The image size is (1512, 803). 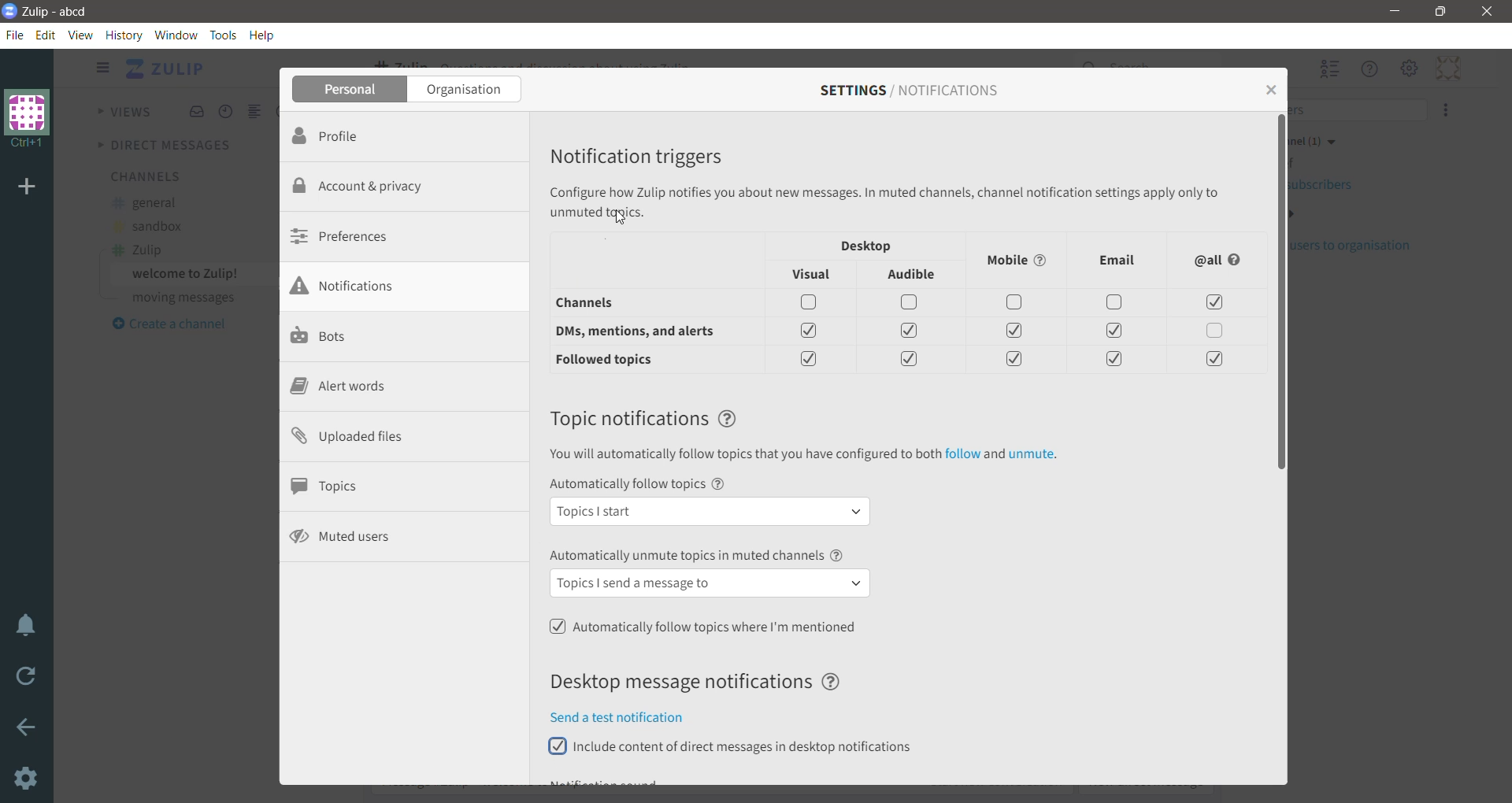 I want to click on Go back, so click(x=28, y=730).